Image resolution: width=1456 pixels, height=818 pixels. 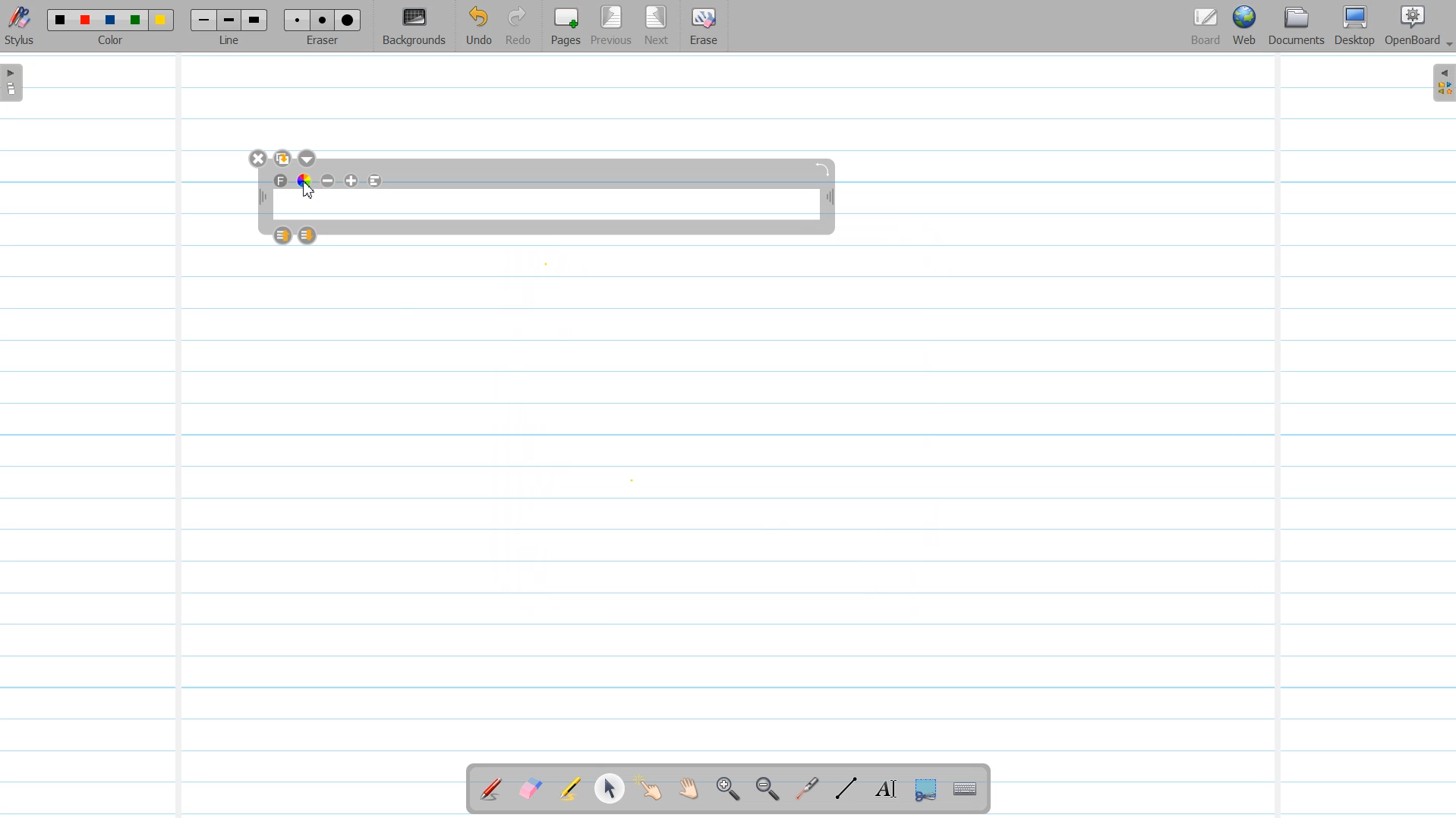 I want to click on Layer up, so click(x=284, y=235).